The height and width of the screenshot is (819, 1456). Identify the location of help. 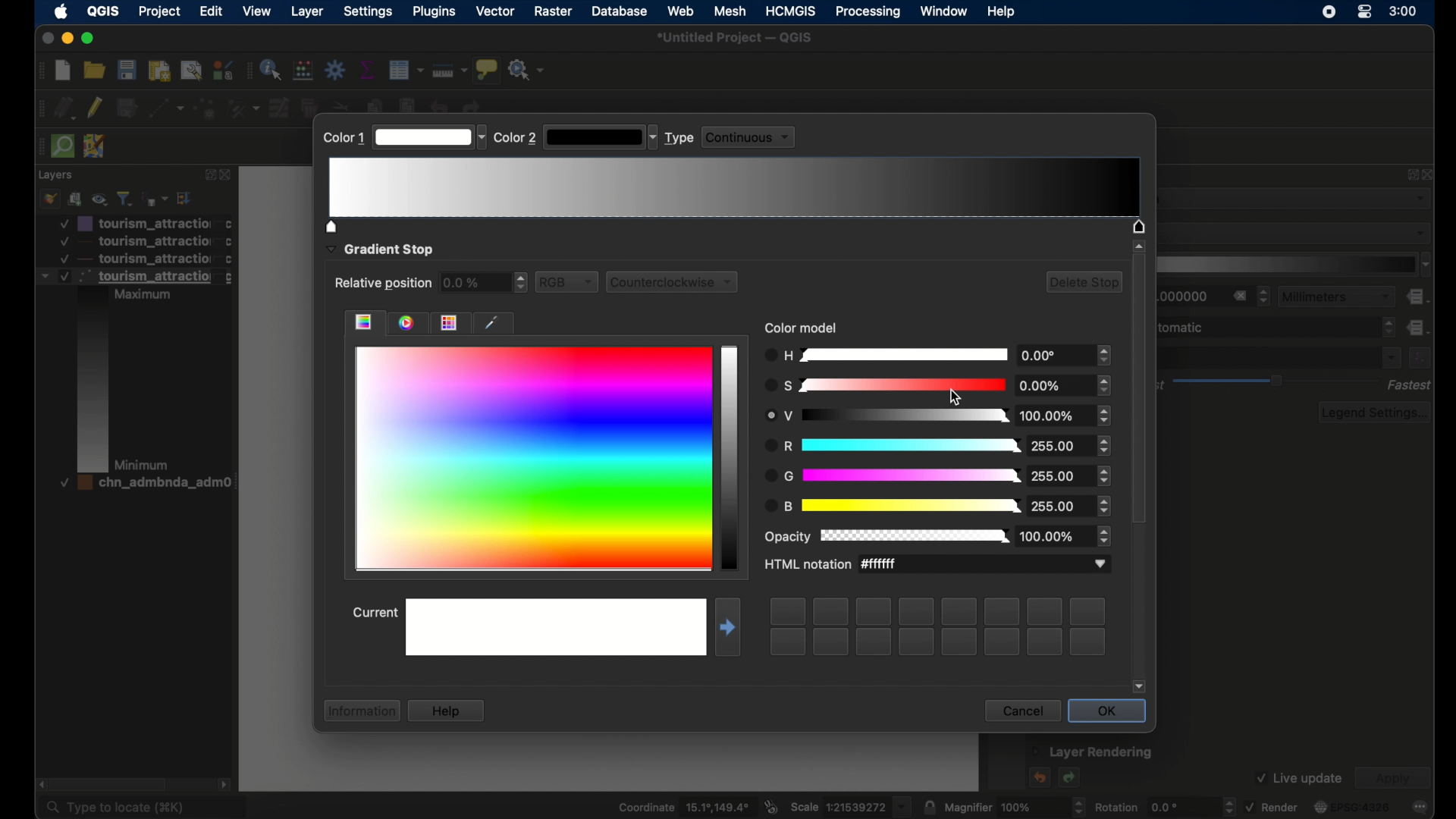
(1002, 12).